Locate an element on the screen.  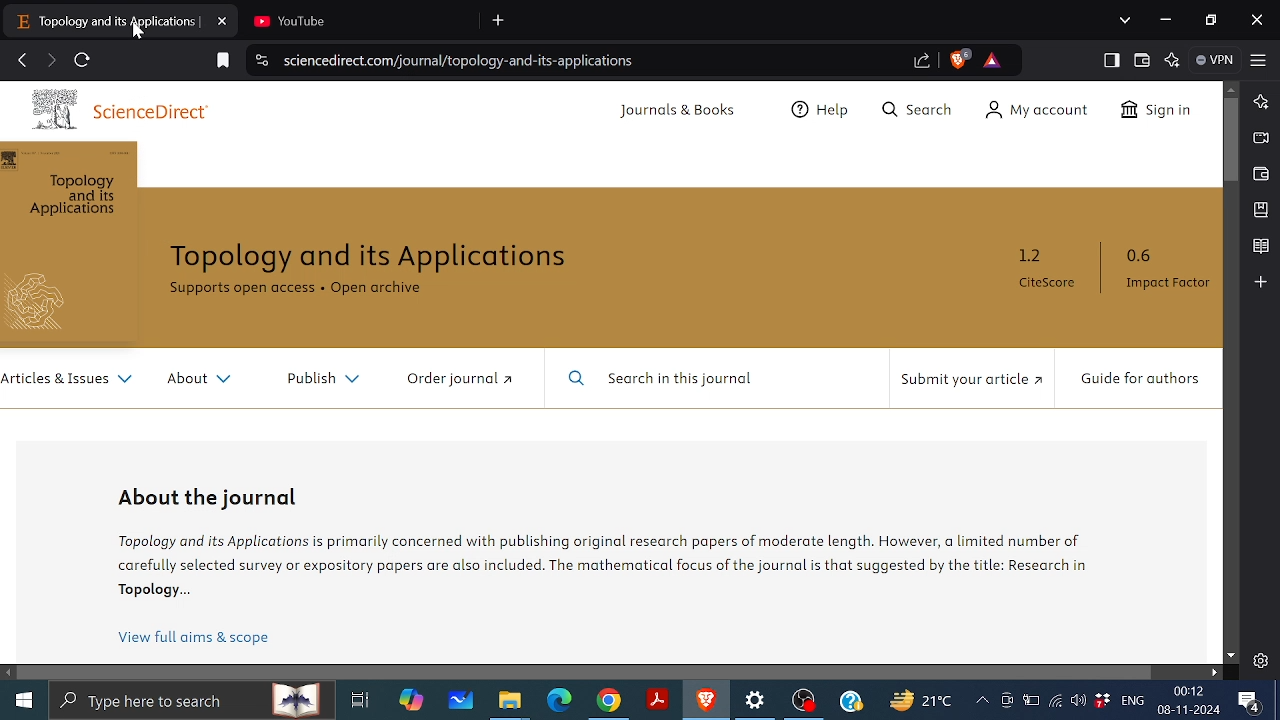
Add to sidebar is located at coordinates (1260, 281).